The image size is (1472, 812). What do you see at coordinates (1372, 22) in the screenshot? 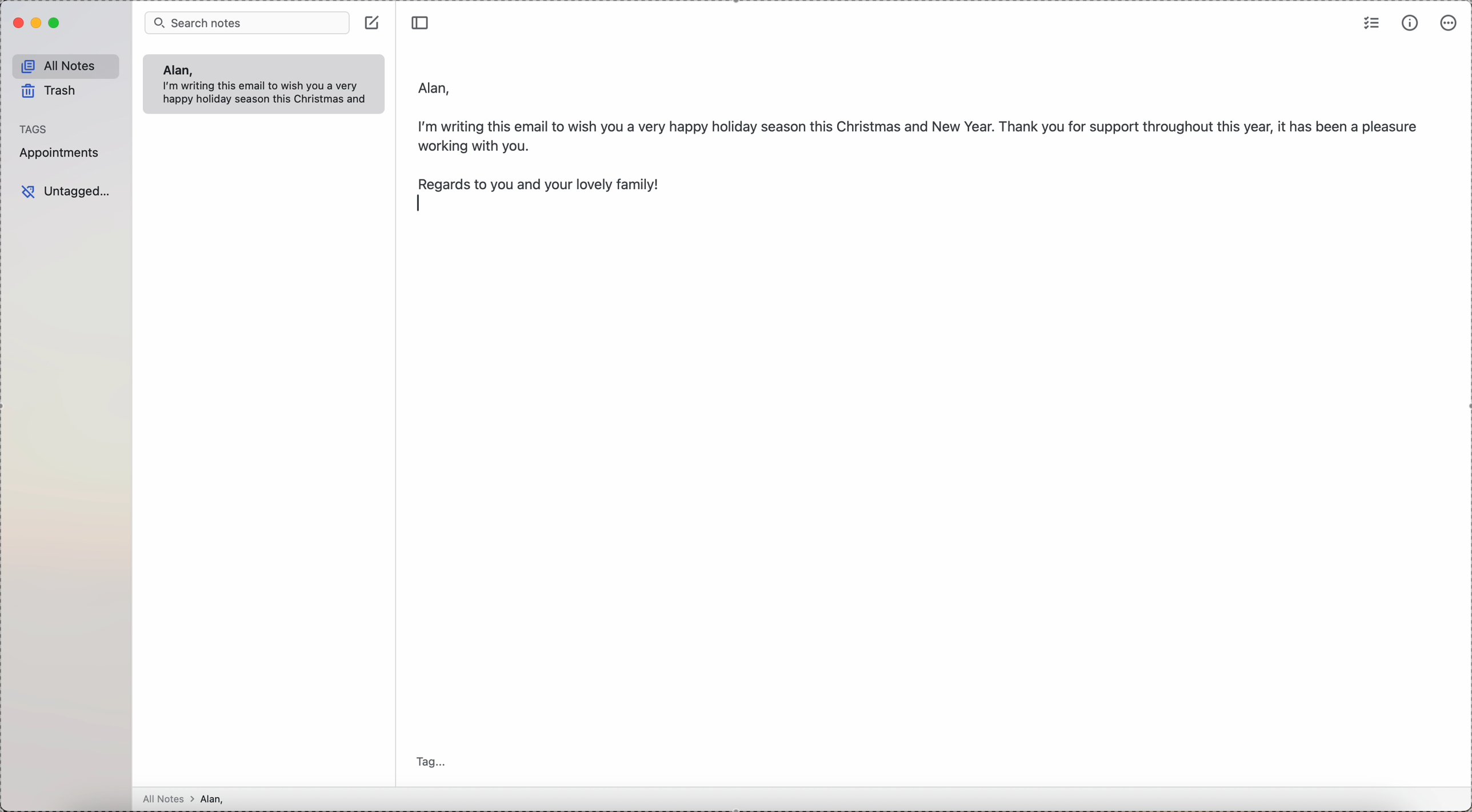
I see `check list` at bounding box center [1372, 22].